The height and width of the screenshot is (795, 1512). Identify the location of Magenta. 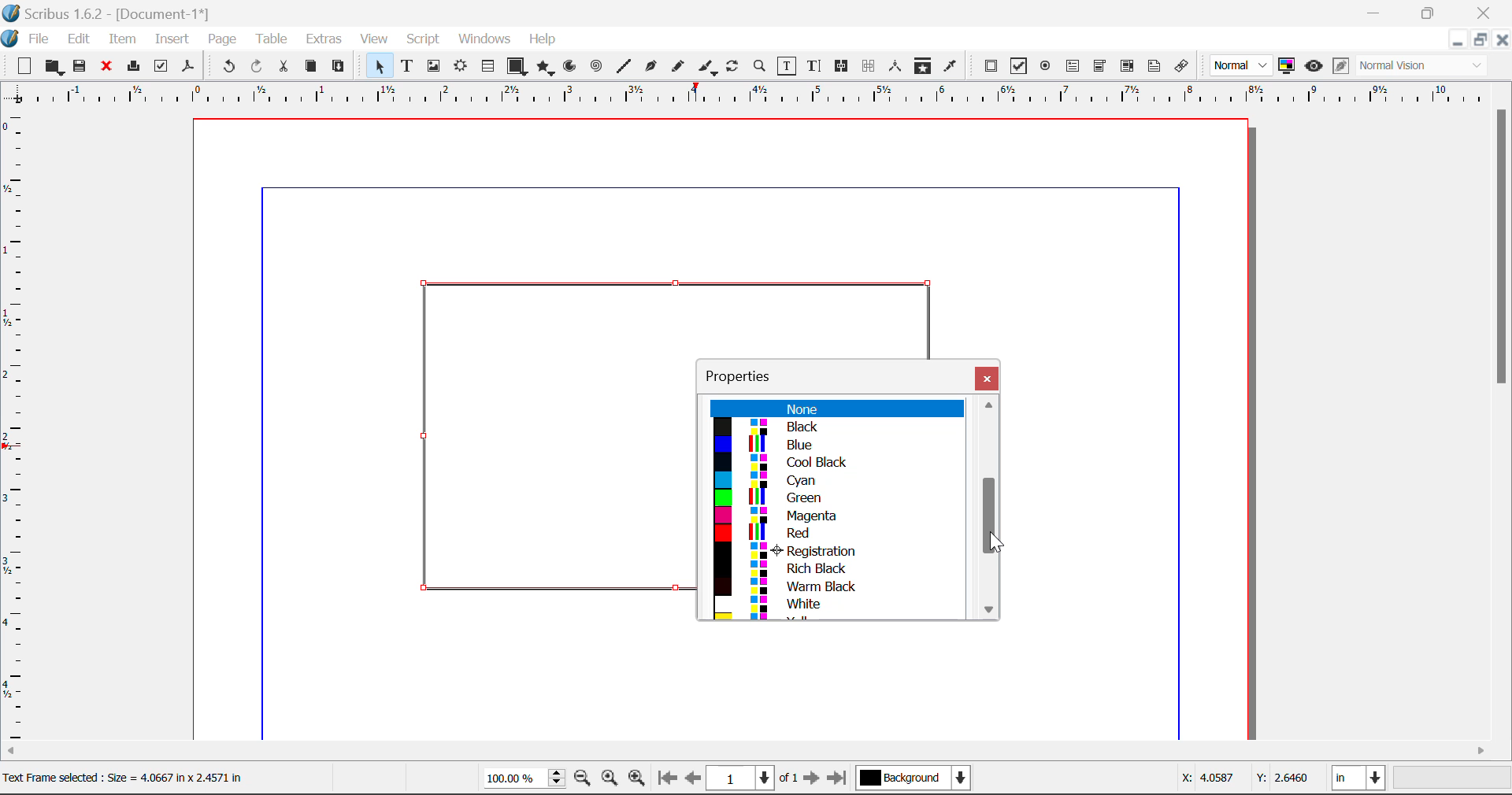
(837, 516).